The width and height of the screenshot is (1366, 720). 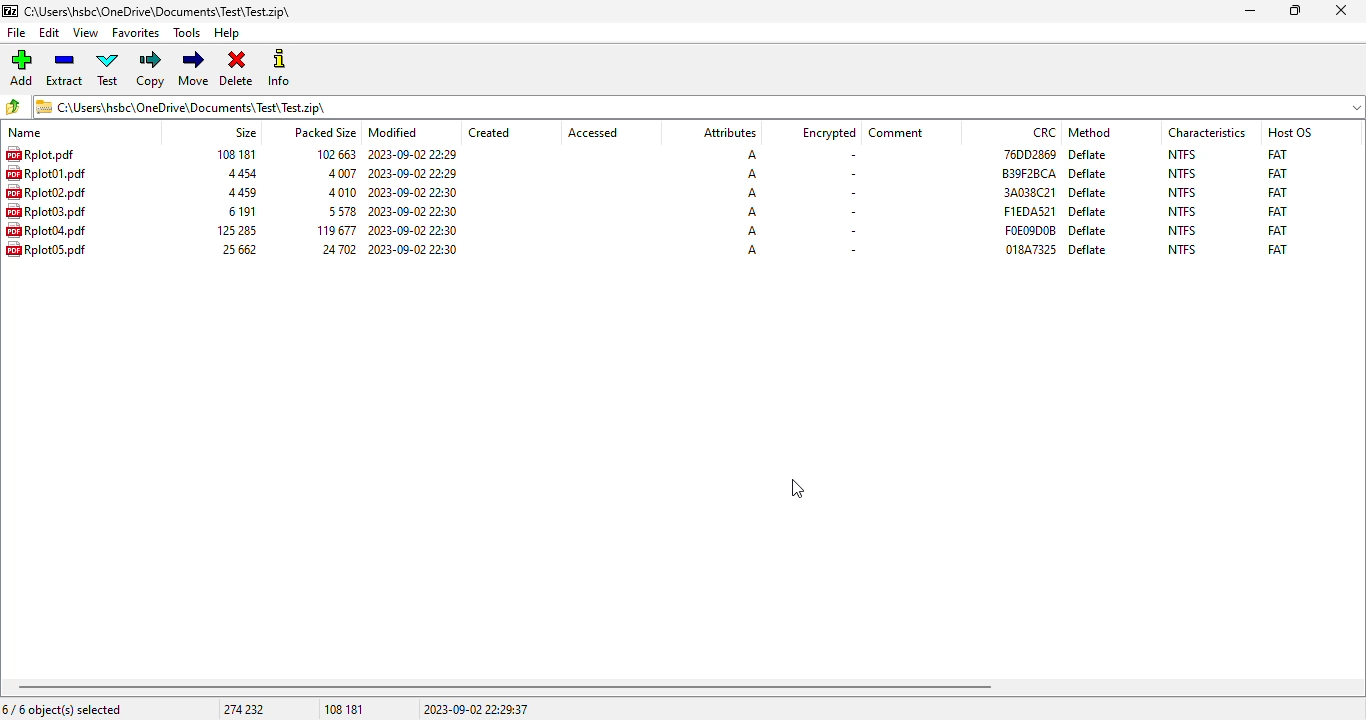 I want to click on modified date & time, so click(x=413, y=173).